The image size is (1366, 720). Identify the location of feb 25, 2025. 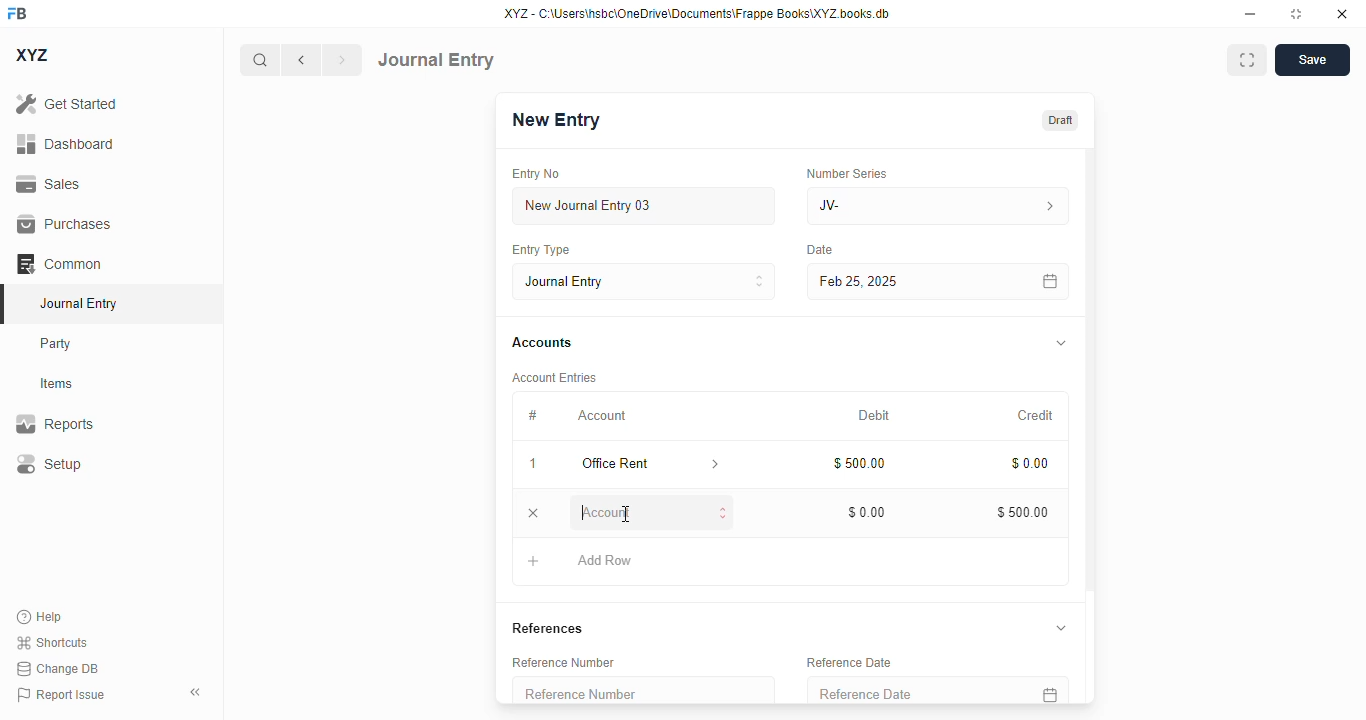
(910, 282).